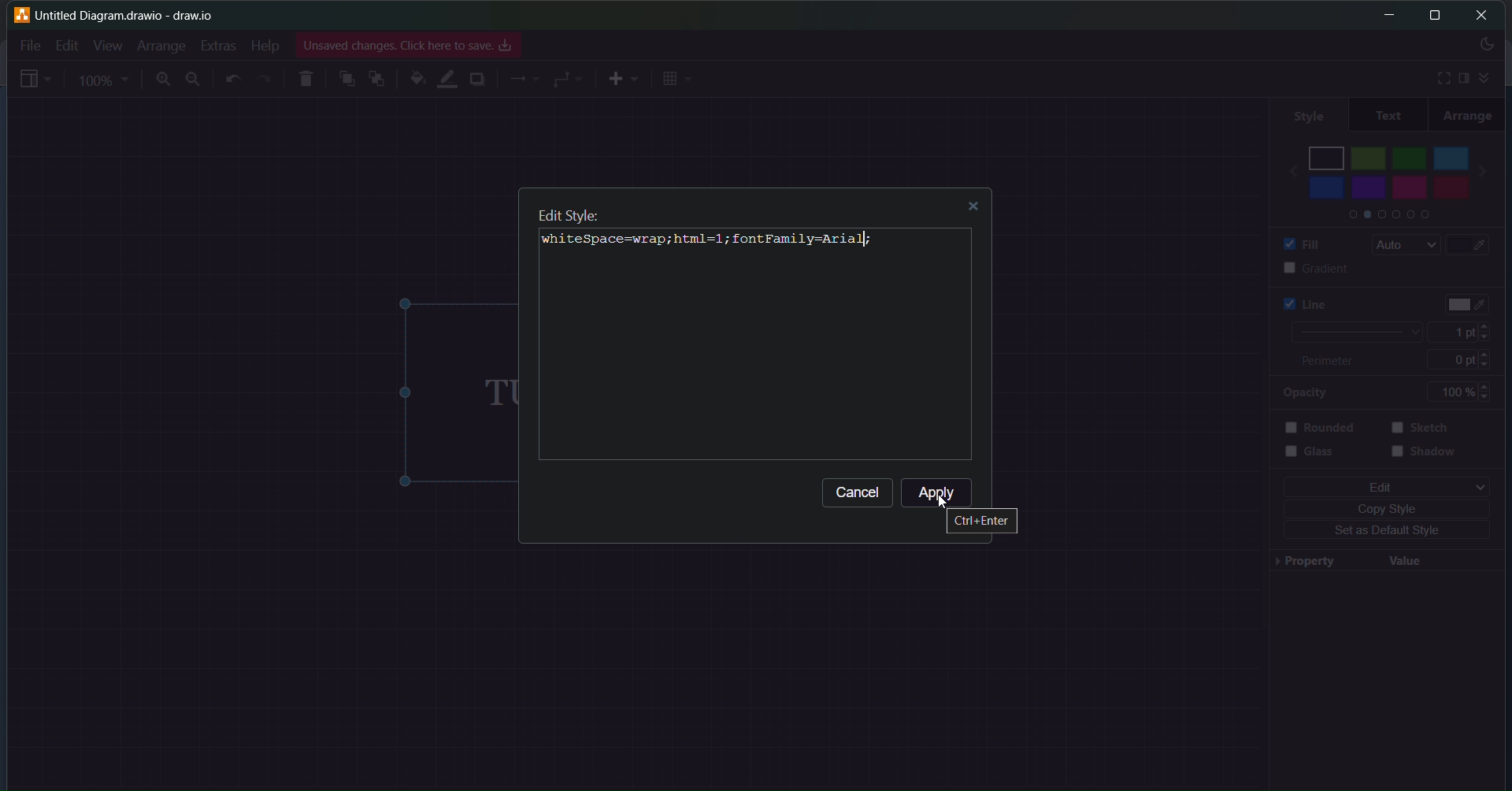  What do you see at coordinates (978, 522) in the screenshot?
I see `Ctrl + Enter` at bounding box center [978, 522].